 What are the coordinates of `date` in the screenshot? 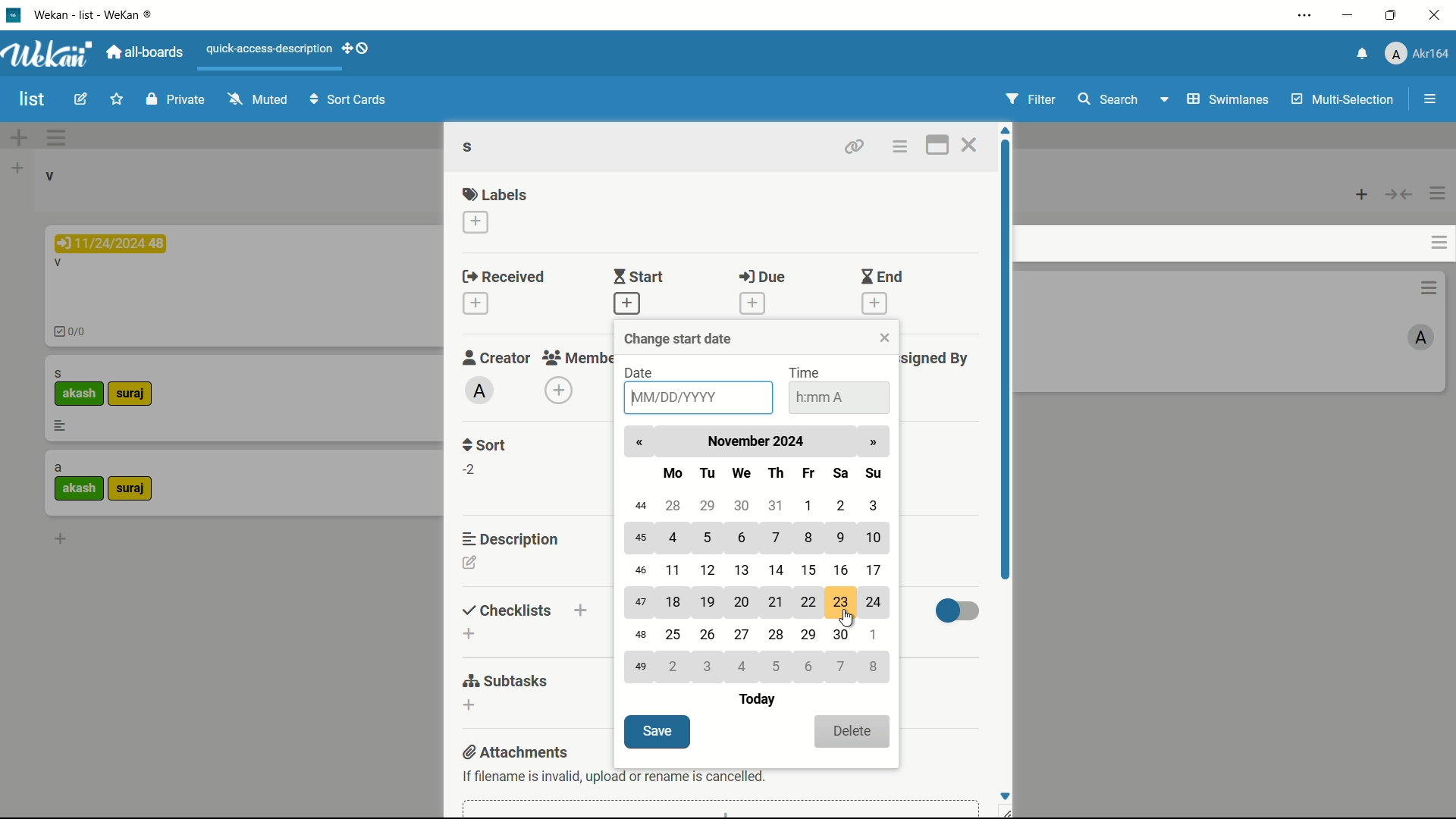 It's located at (642, 373).